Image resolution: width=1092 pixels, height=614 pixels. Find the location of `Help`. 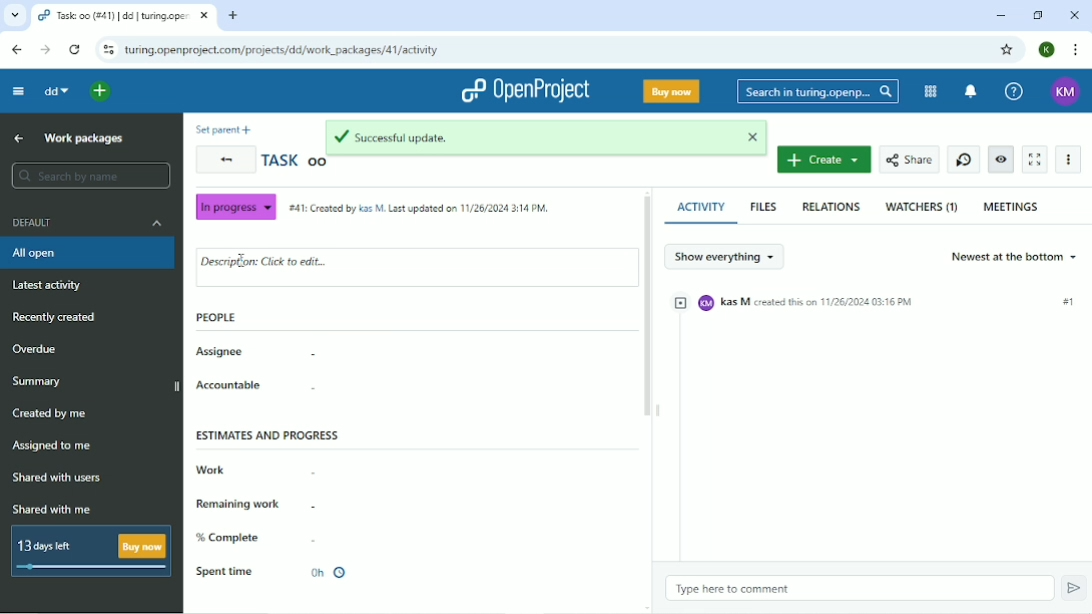

Help is located at coordinates (1013, 90).